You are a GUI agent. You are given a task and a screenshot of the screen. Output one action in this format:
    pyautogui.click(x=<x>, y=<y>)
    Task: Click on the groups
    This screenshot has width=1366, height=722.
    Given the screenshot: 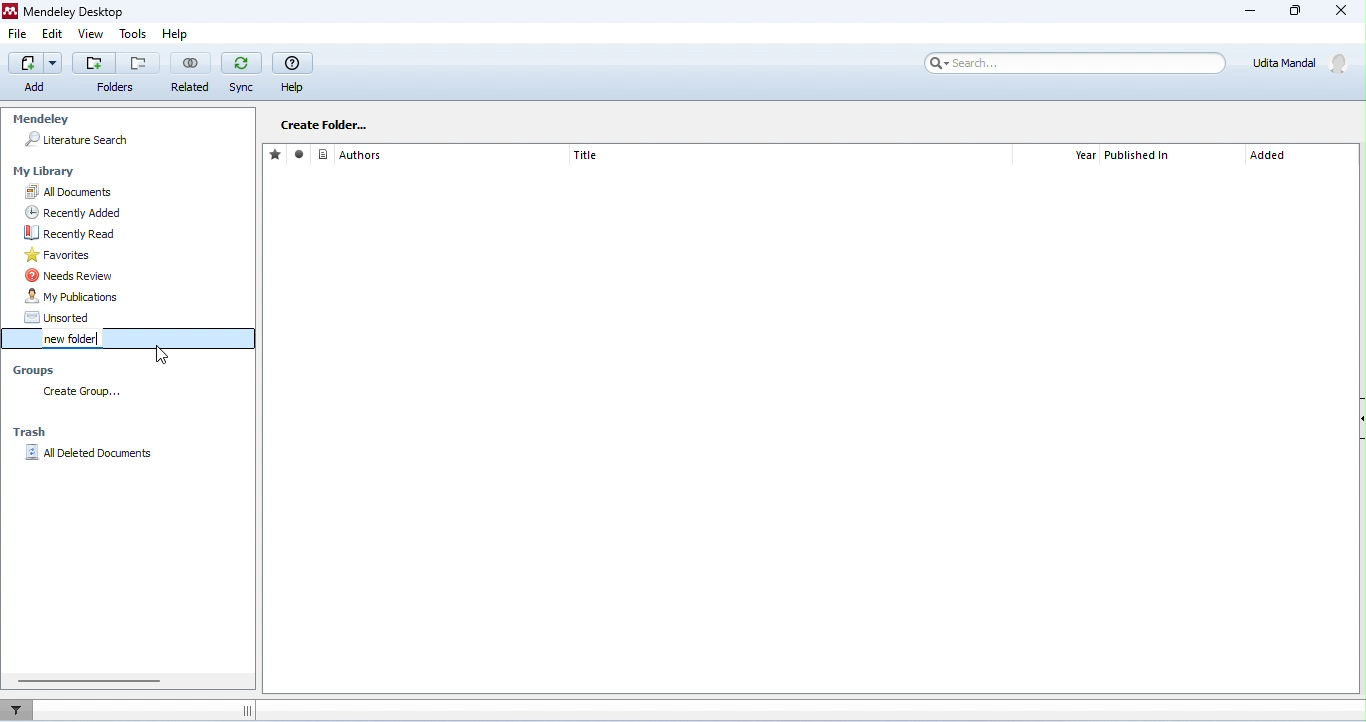 What is the action you would take?
    pyautogui.click(x=38, y=372)
    